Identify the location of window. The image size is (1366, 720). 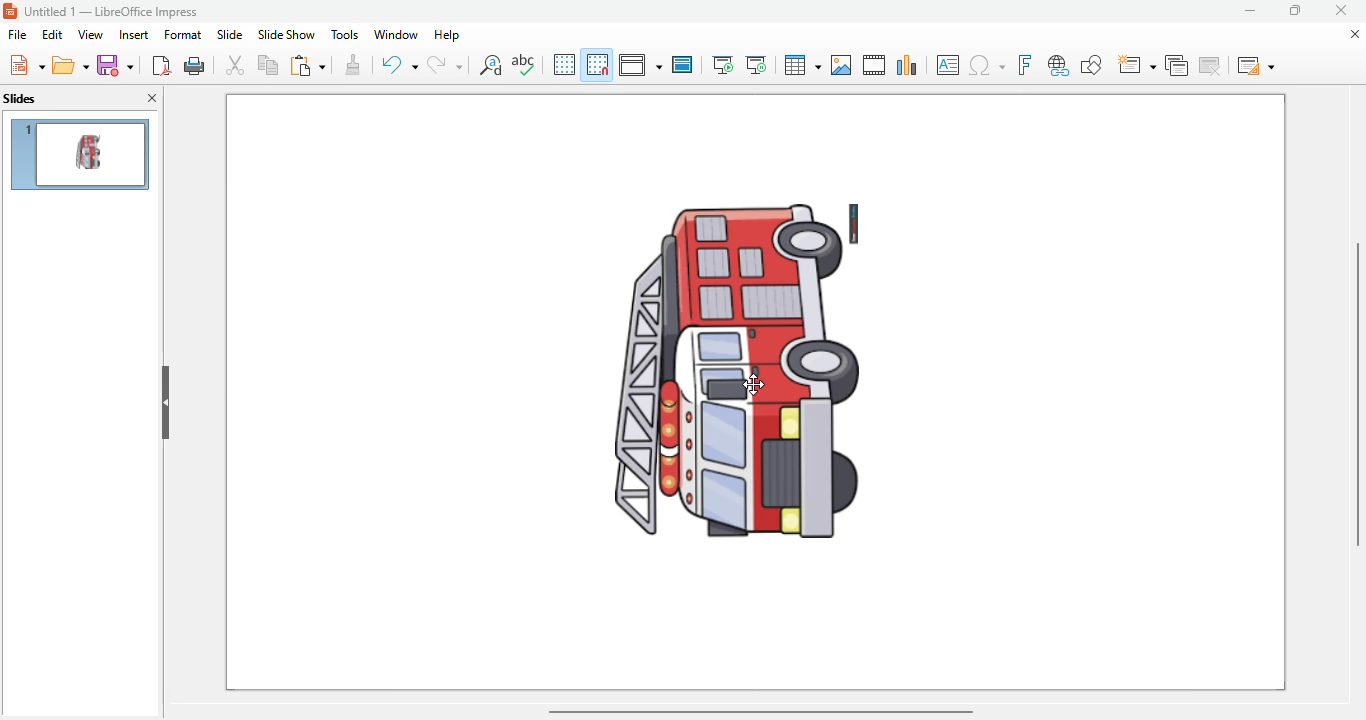
(397, 34).